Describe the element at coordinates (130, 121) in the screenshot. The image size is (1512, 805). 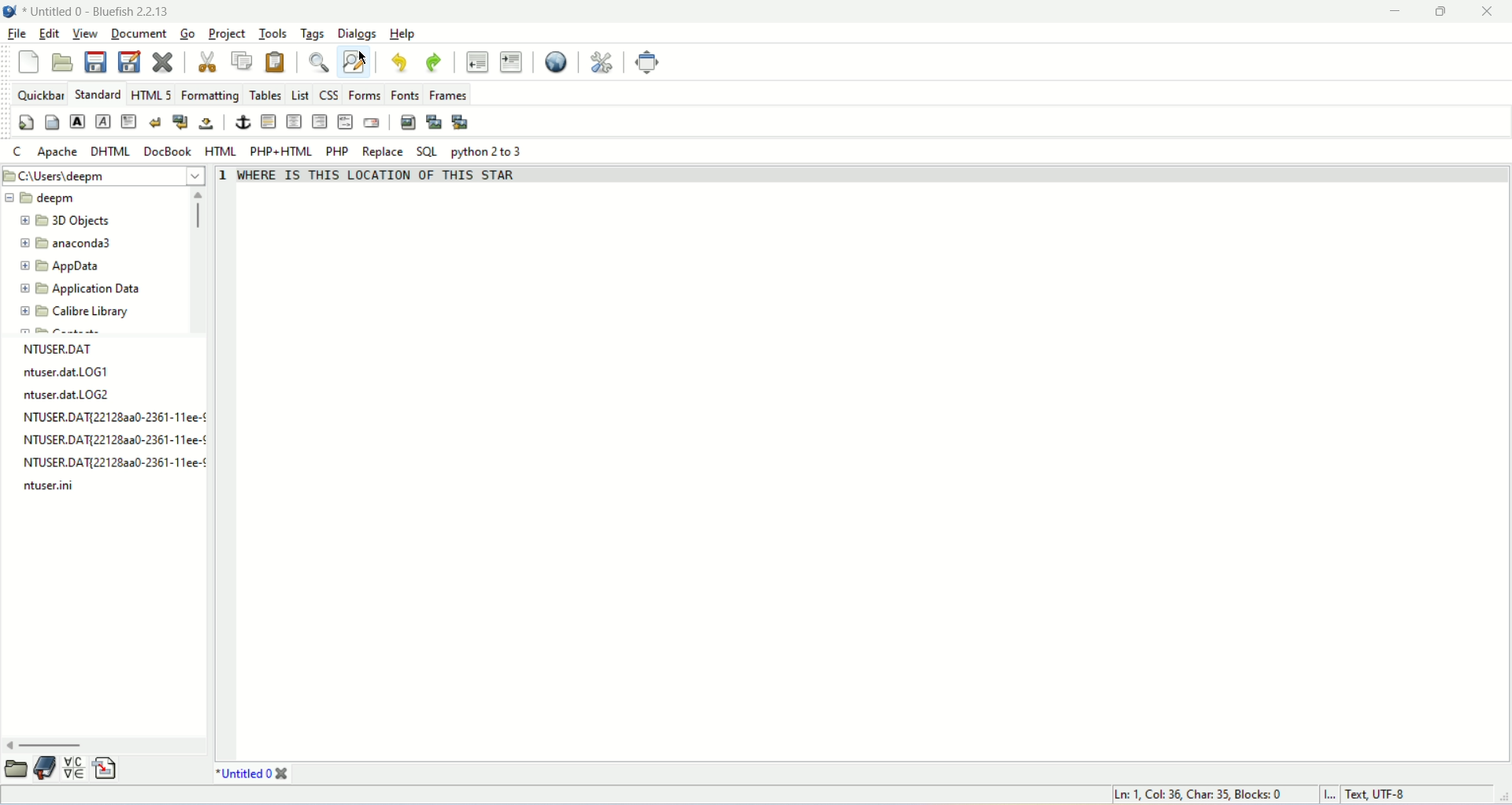
I see `paragraph` at that location.